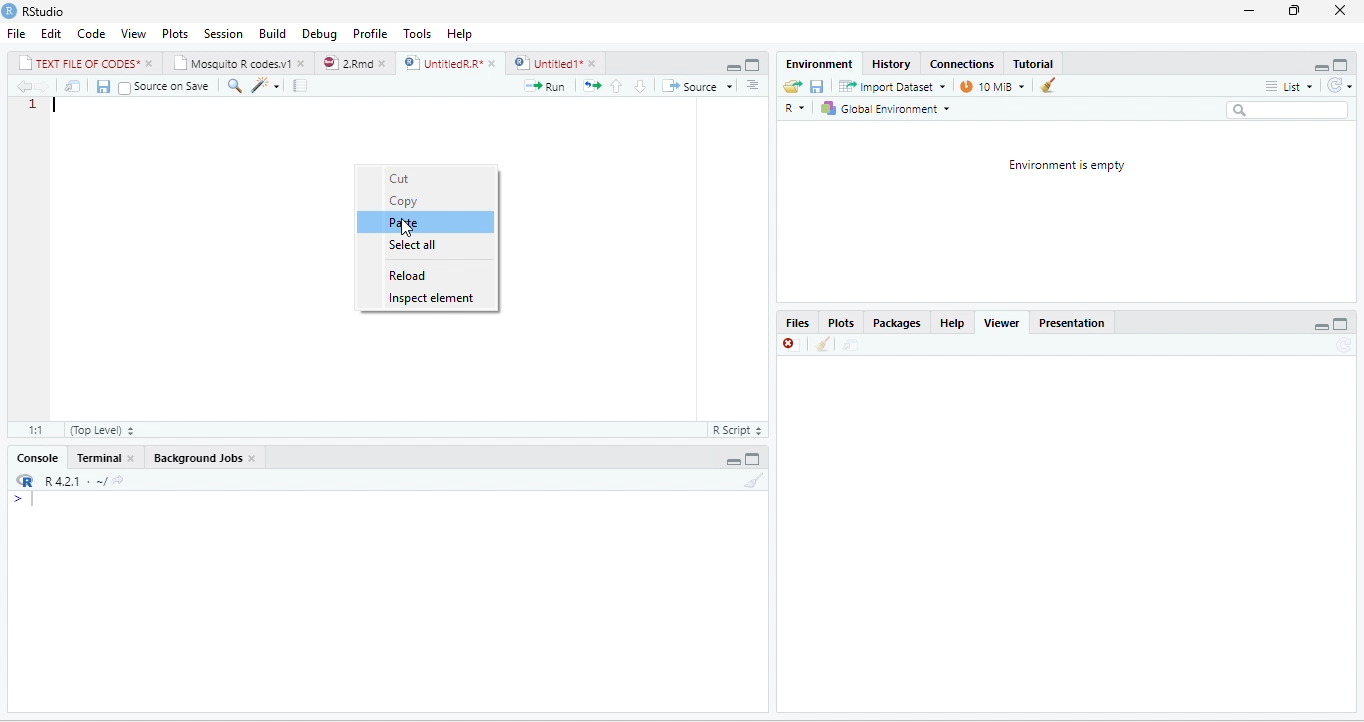  I want to click on Presentation, so click(1077, 323).